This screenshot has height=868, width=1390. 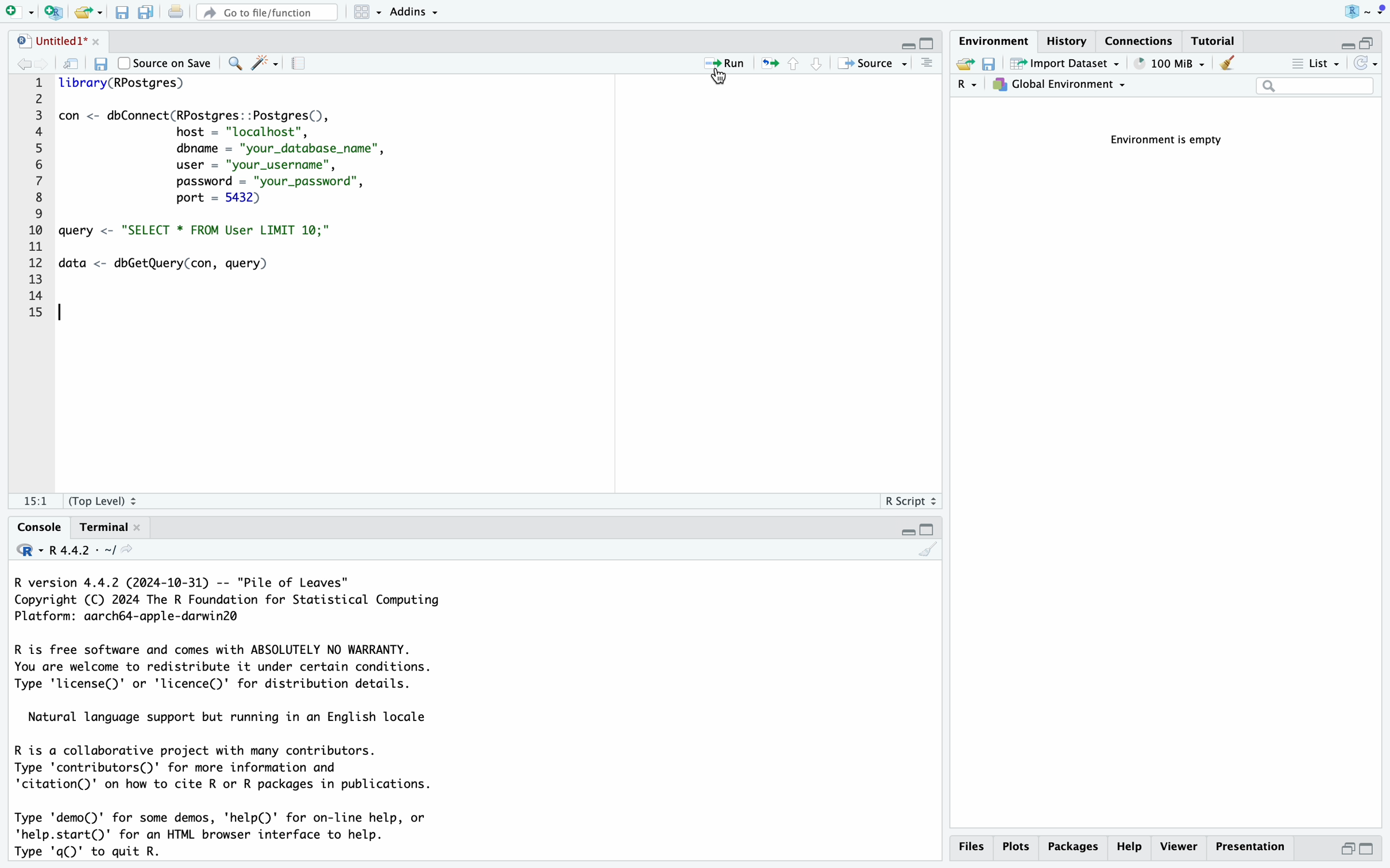 What do you see at coordinates (125, 86) in the screenshot?
I see `library function` at bounding box center [125, 86].